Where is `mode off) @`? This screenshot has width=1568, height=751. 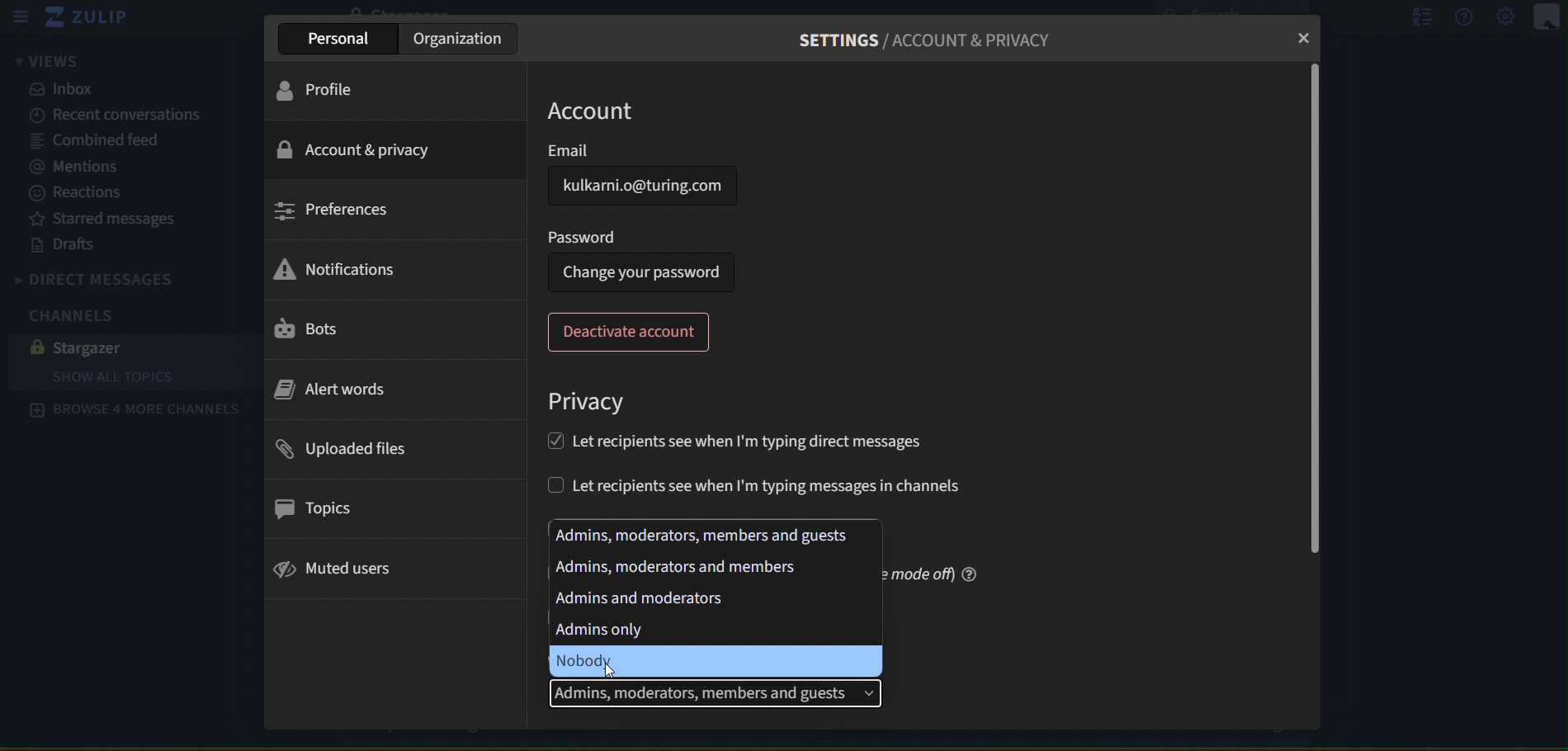
mode off) @ is located at coordinates (939, 575).